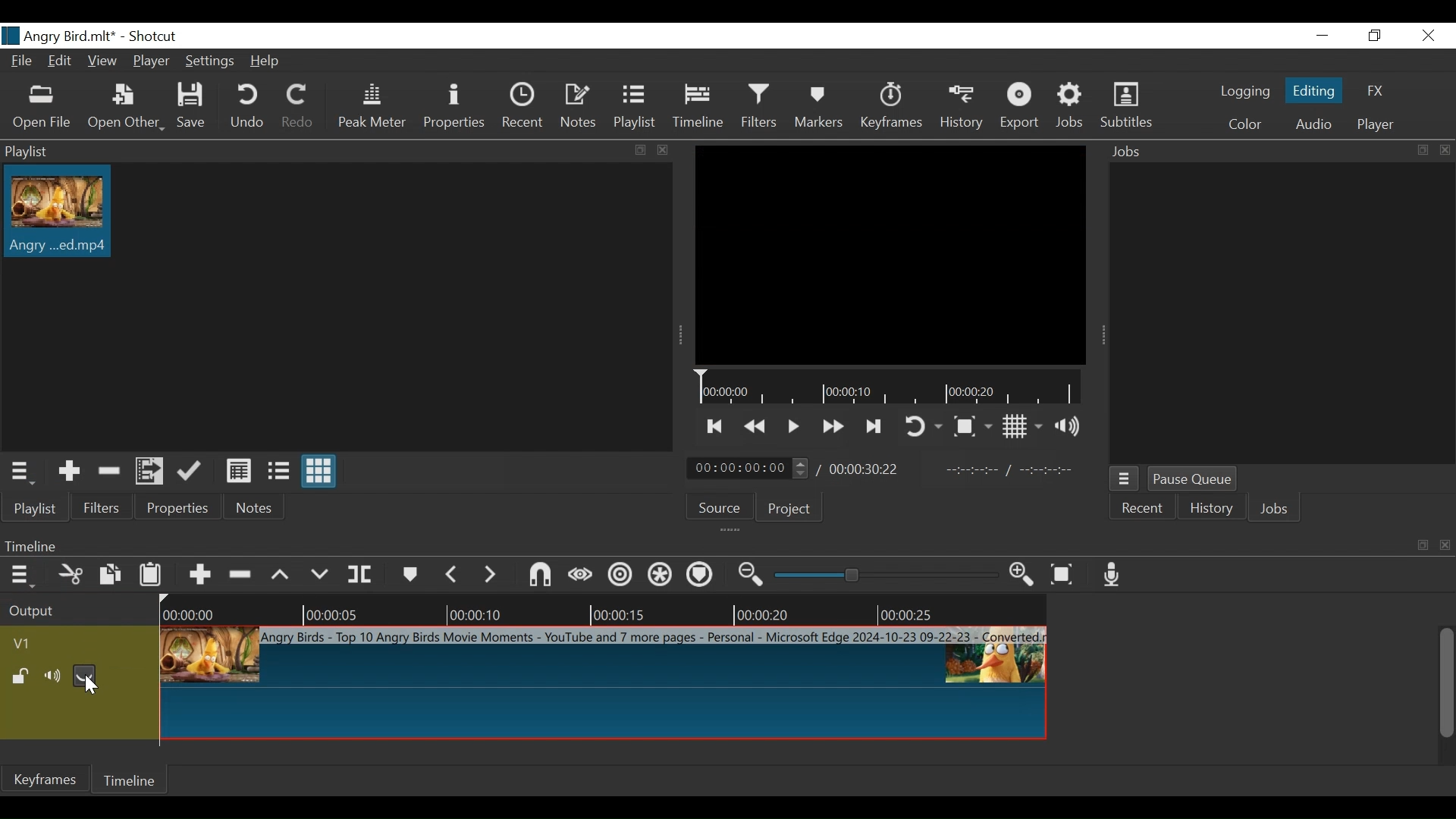  I want to click on (un)lock track, so click(19, 676).